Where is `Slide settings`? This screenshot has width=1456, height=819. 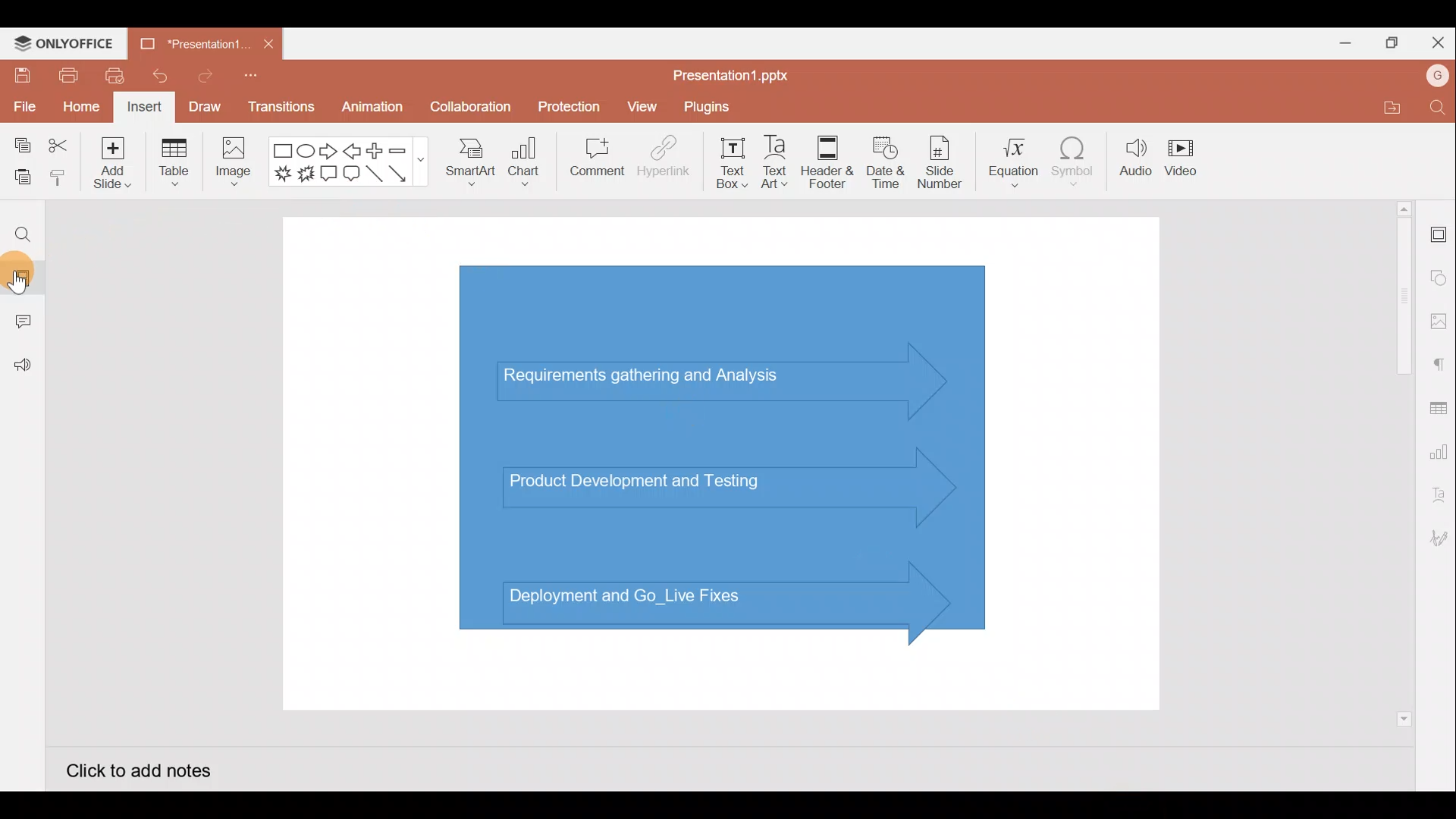
Slide settings is located at coordinates (1437, 236).